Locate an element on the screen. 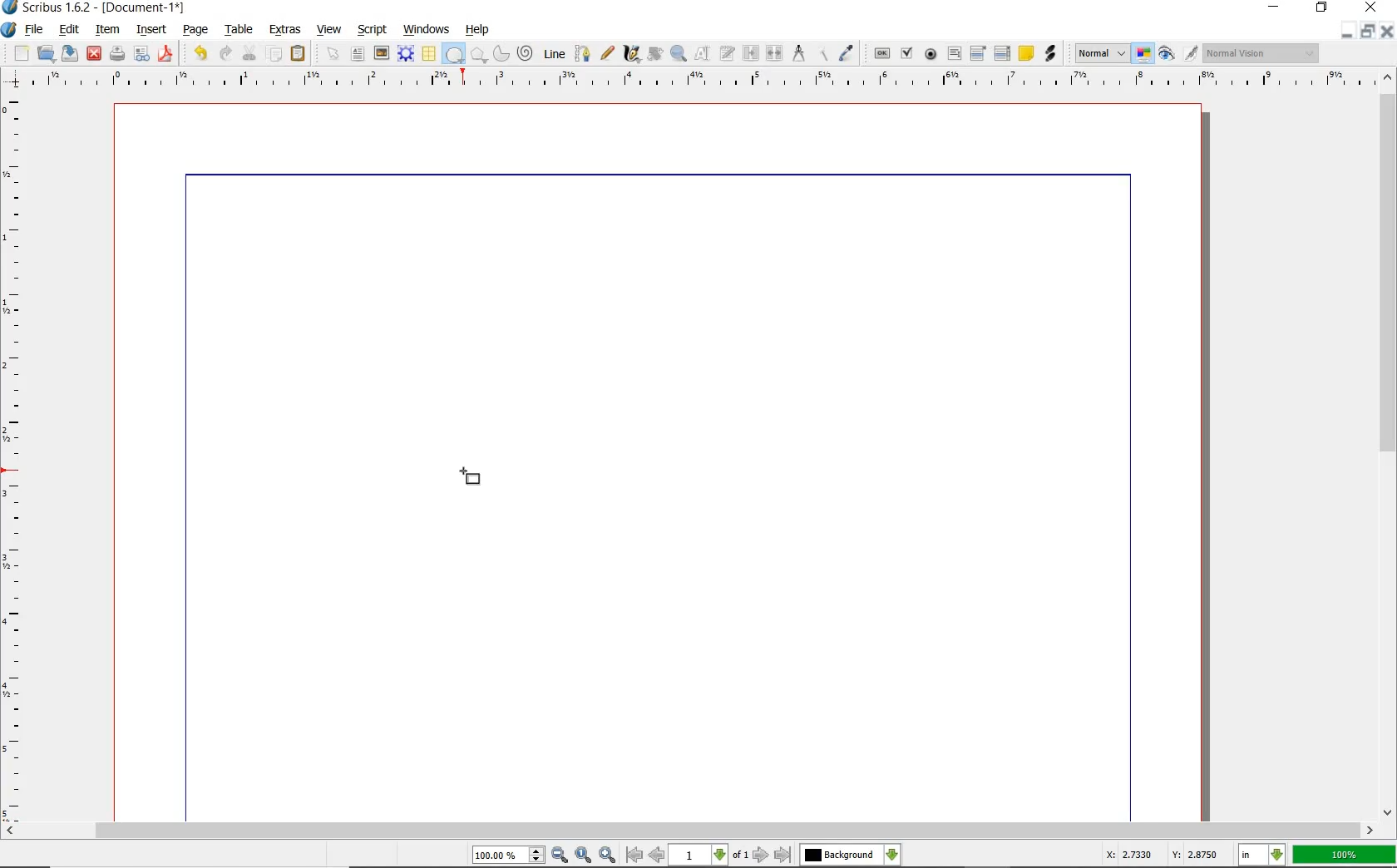  shape tool is located at coordinates (470, 482).